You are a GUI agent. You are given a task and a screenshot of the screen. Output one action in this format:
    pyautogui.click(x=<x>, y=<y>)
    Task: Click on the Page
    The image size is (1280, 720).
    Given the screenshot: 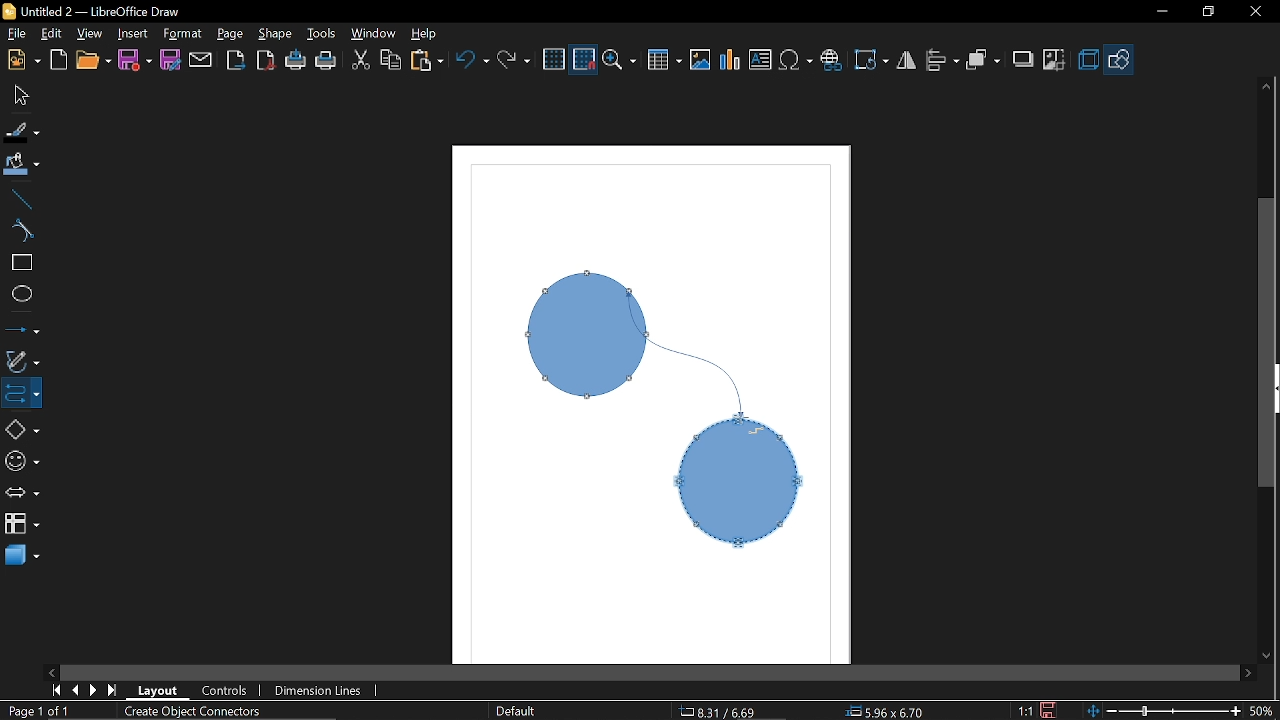 What is the action you would take?
    pyautogui.click(x=232, y=35)
    